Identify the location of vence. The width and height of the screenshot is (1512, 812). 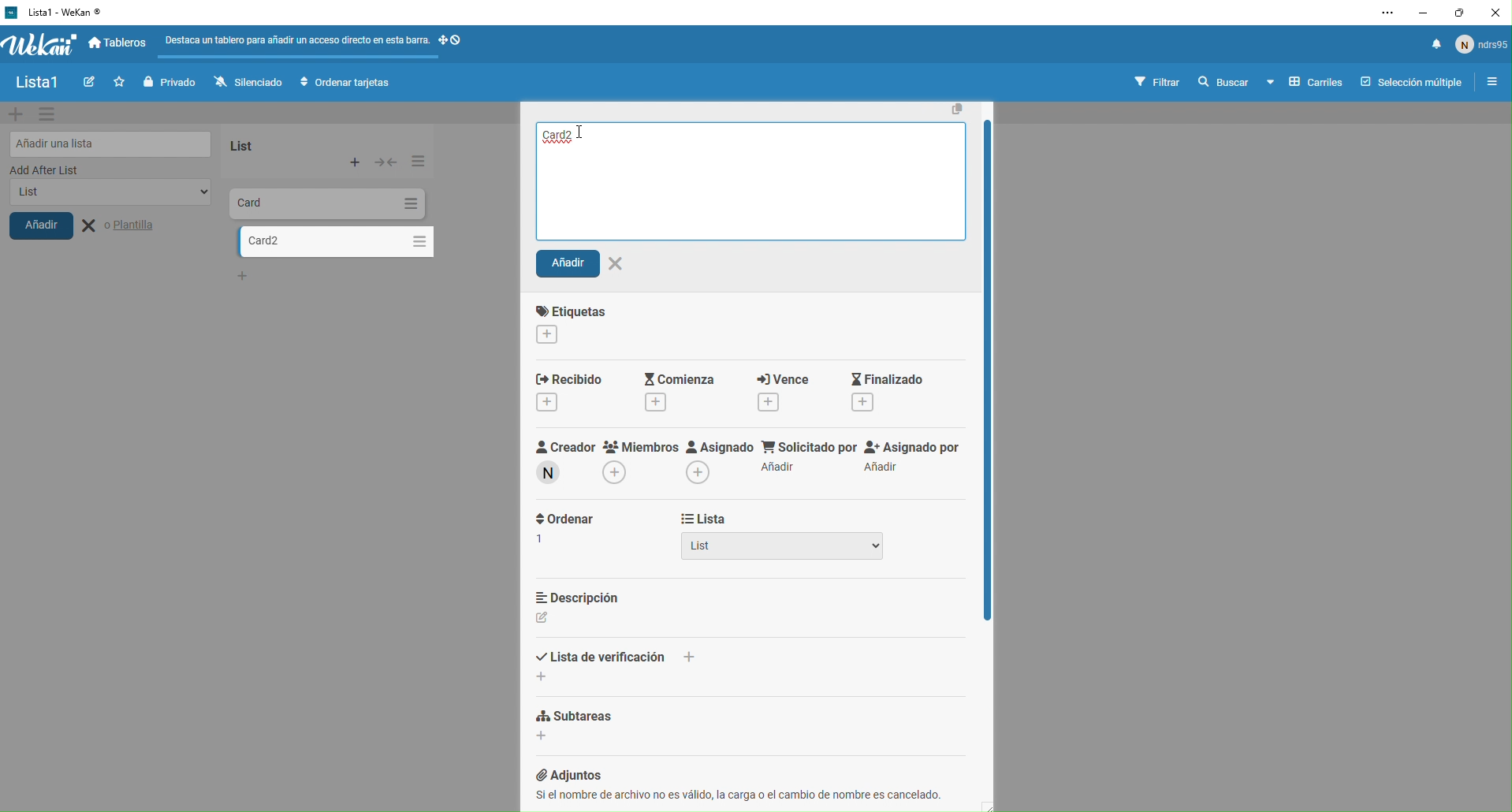
(781, 388).